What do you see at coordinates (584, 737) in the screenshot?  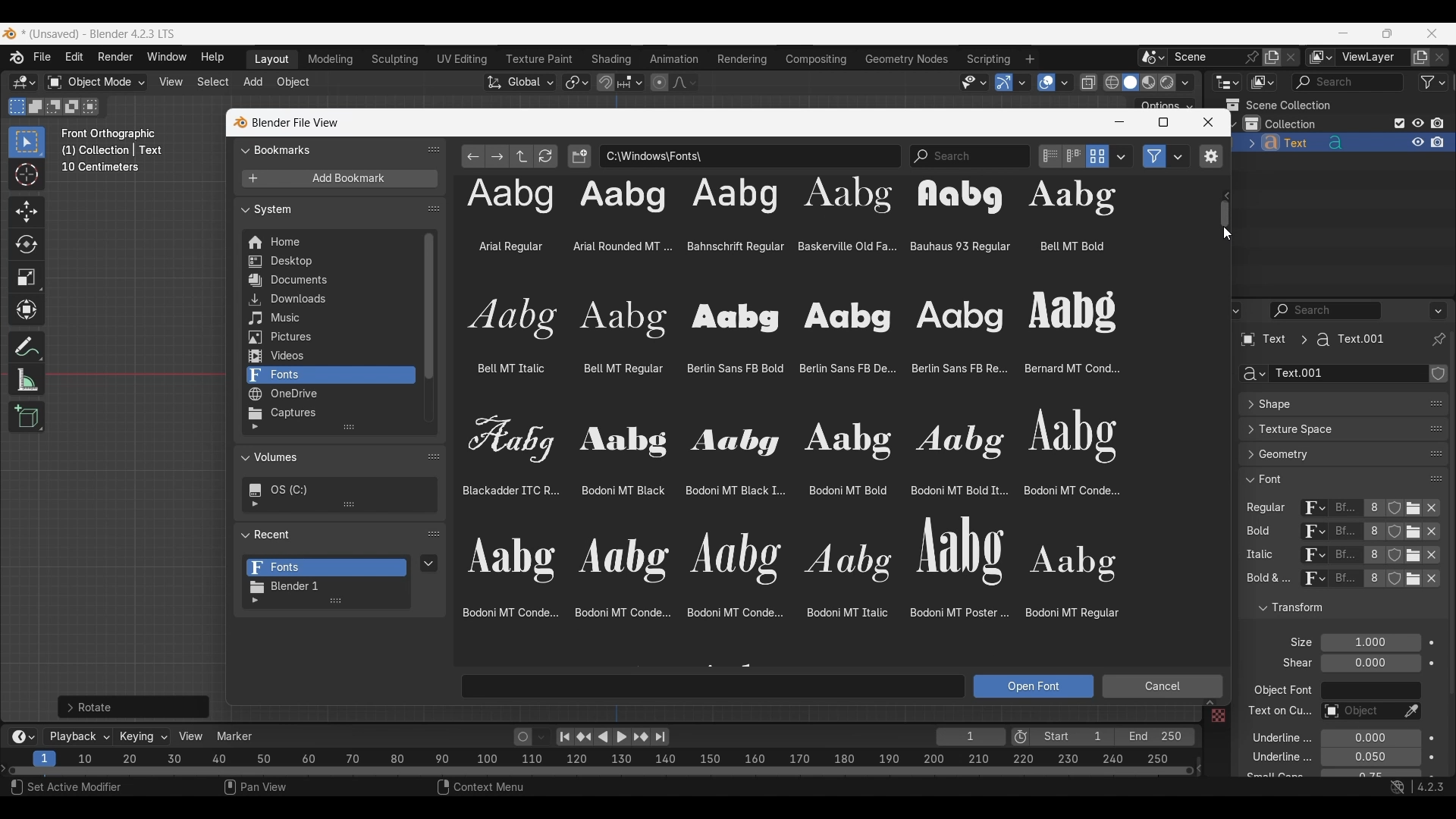 I see `Jump to key frame` at bounding box center [584, 737].